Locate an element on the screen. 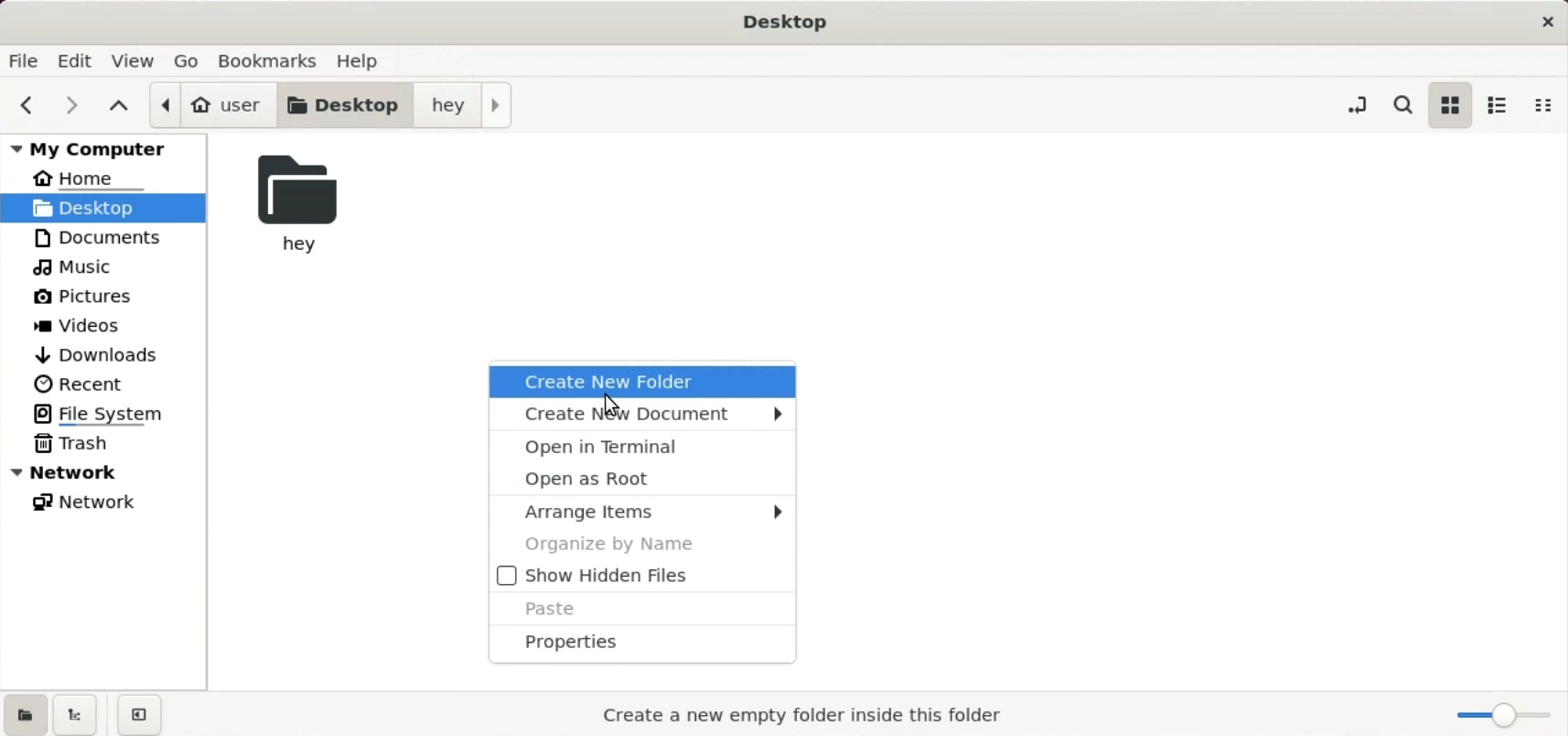  videos is located at coordinates (83, 324).